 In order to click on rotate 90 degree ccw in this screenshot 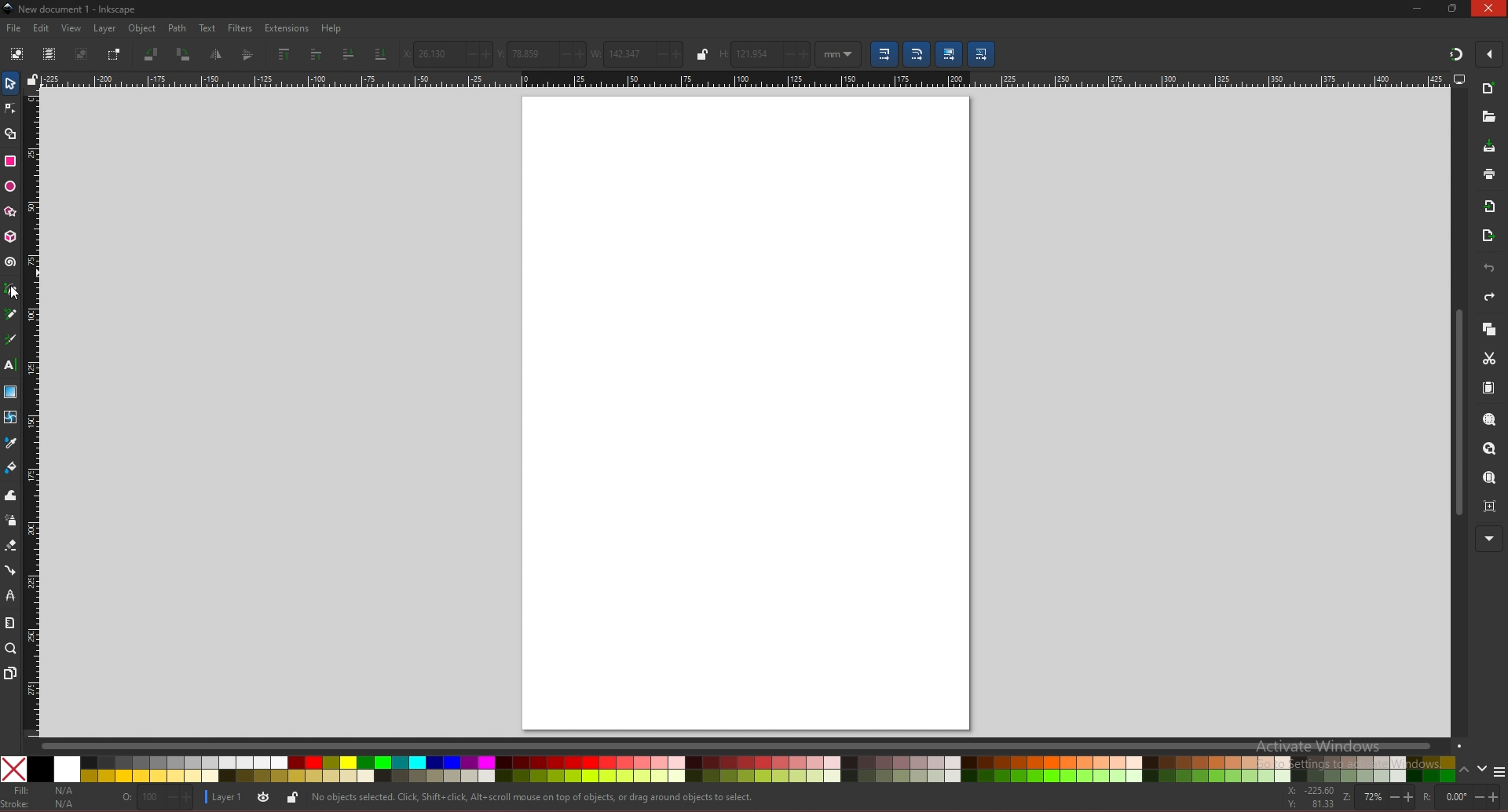, I will do `click(152, 54)`.